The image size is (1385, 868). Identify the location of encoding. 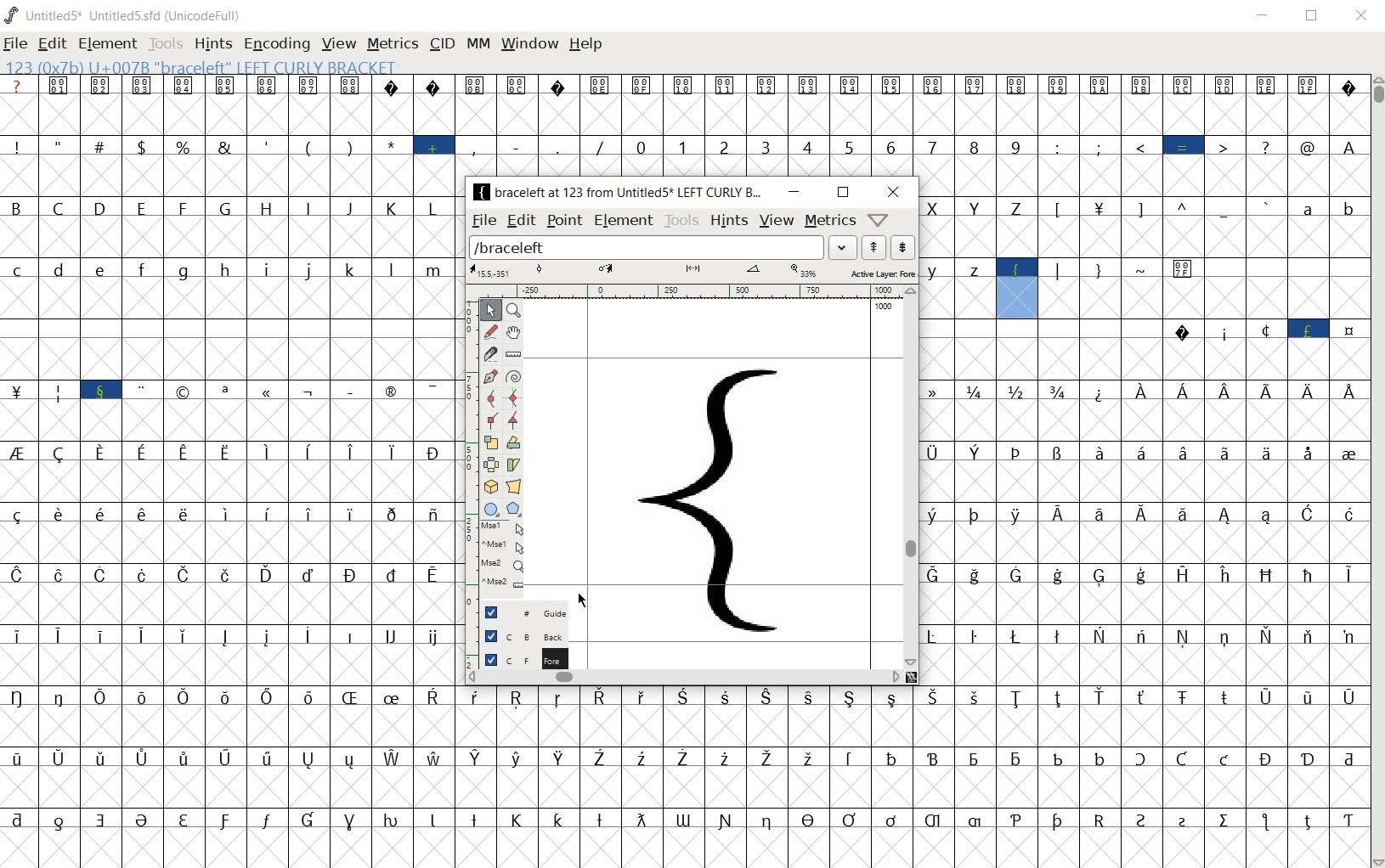
(276, 42).